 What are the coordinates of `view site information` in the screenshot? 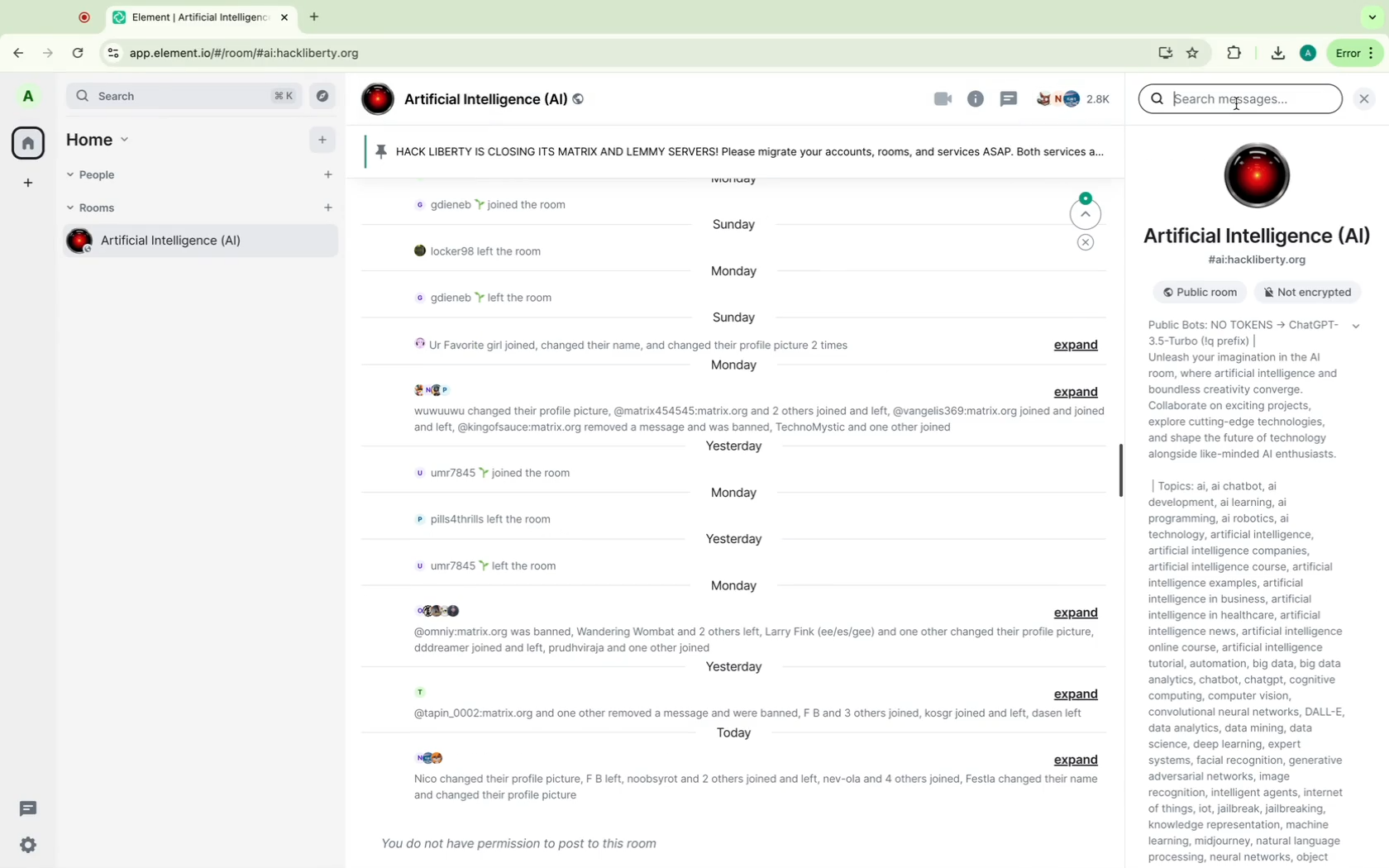 It's located at (112, 54).